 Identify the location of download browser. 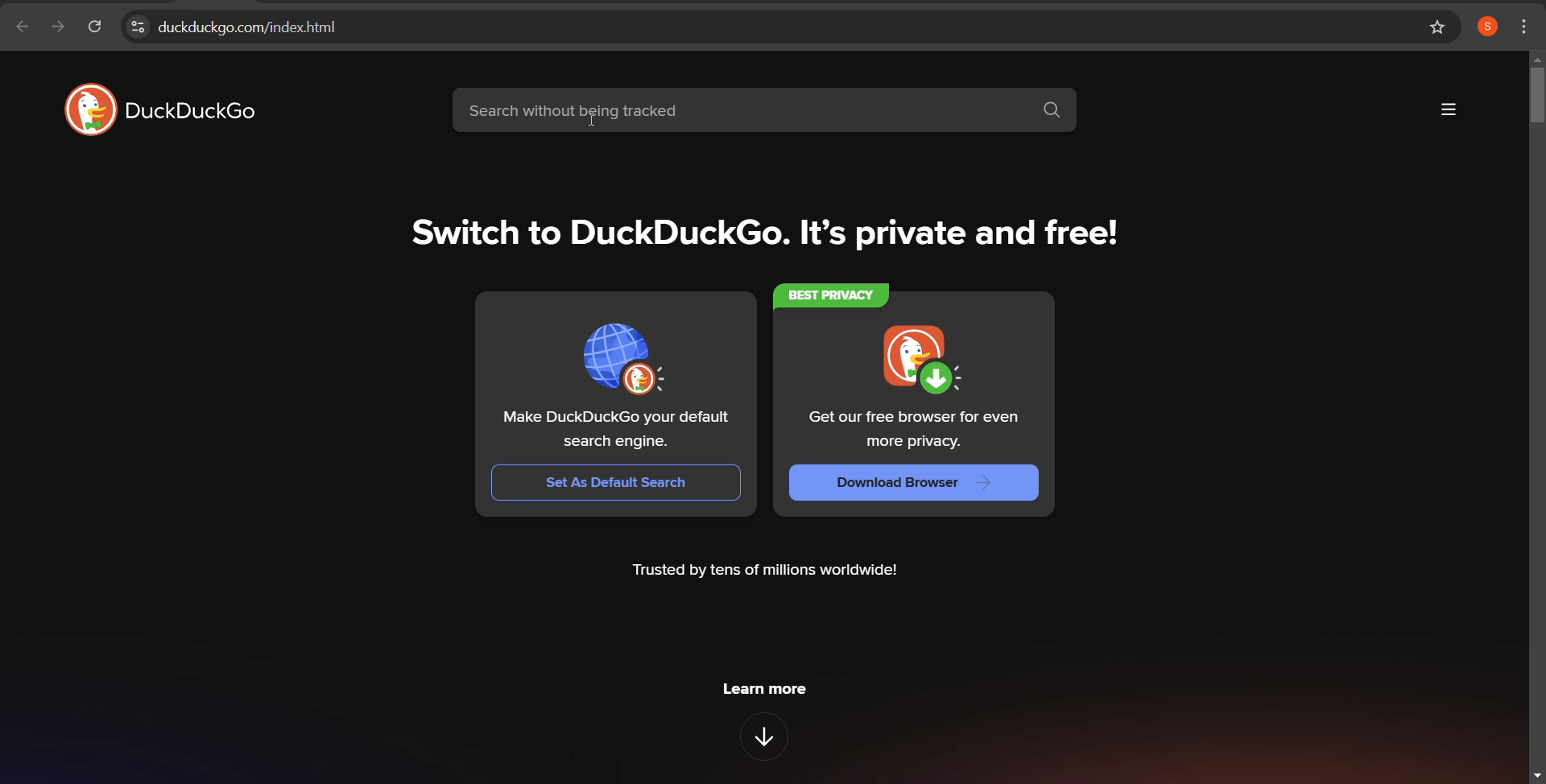
(912, 359).